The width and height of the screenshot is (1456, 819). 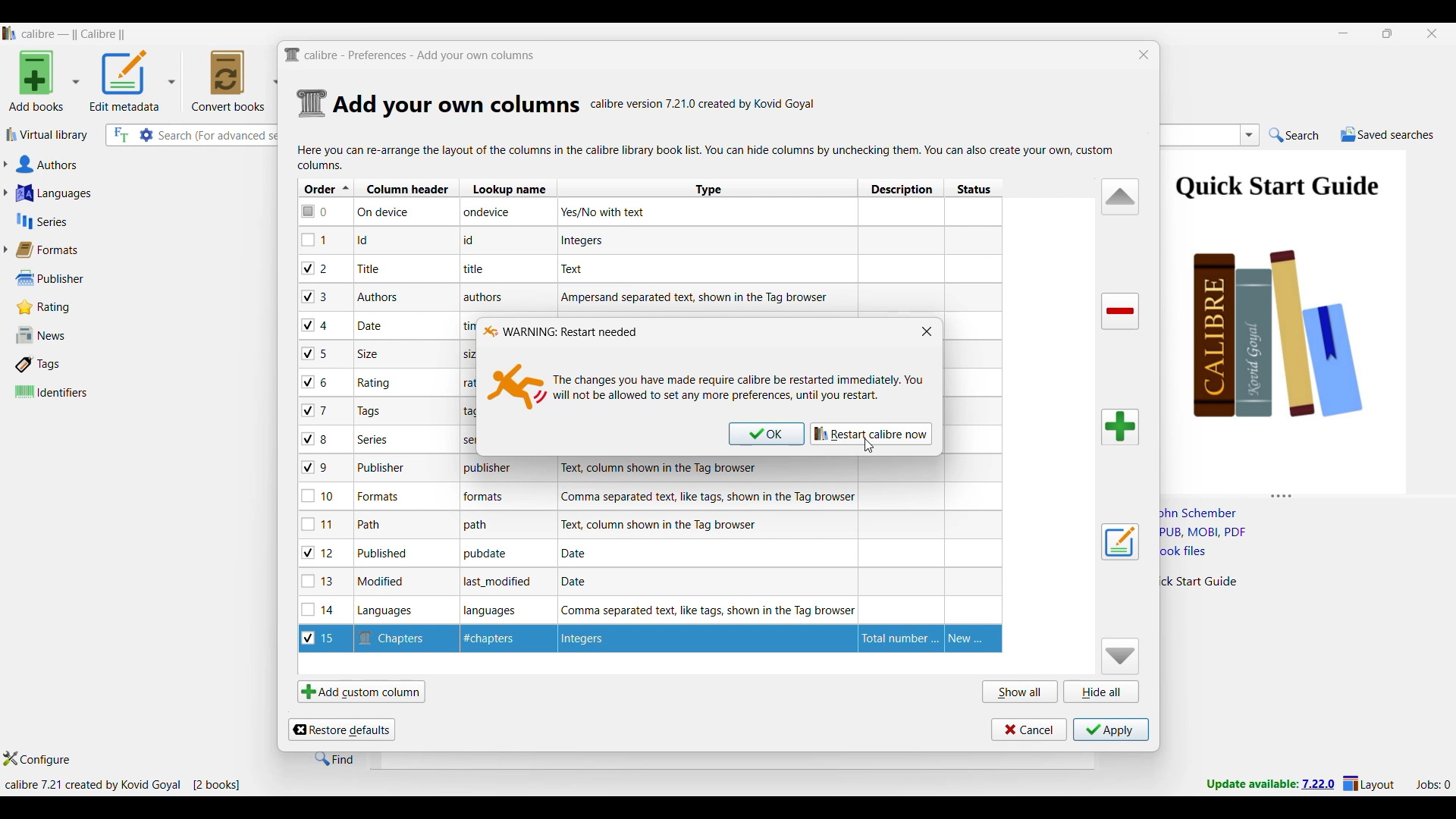 What do you see at coordinates (502, 584) in the screenshot?
I see `note` at bounding box center [502, 584].